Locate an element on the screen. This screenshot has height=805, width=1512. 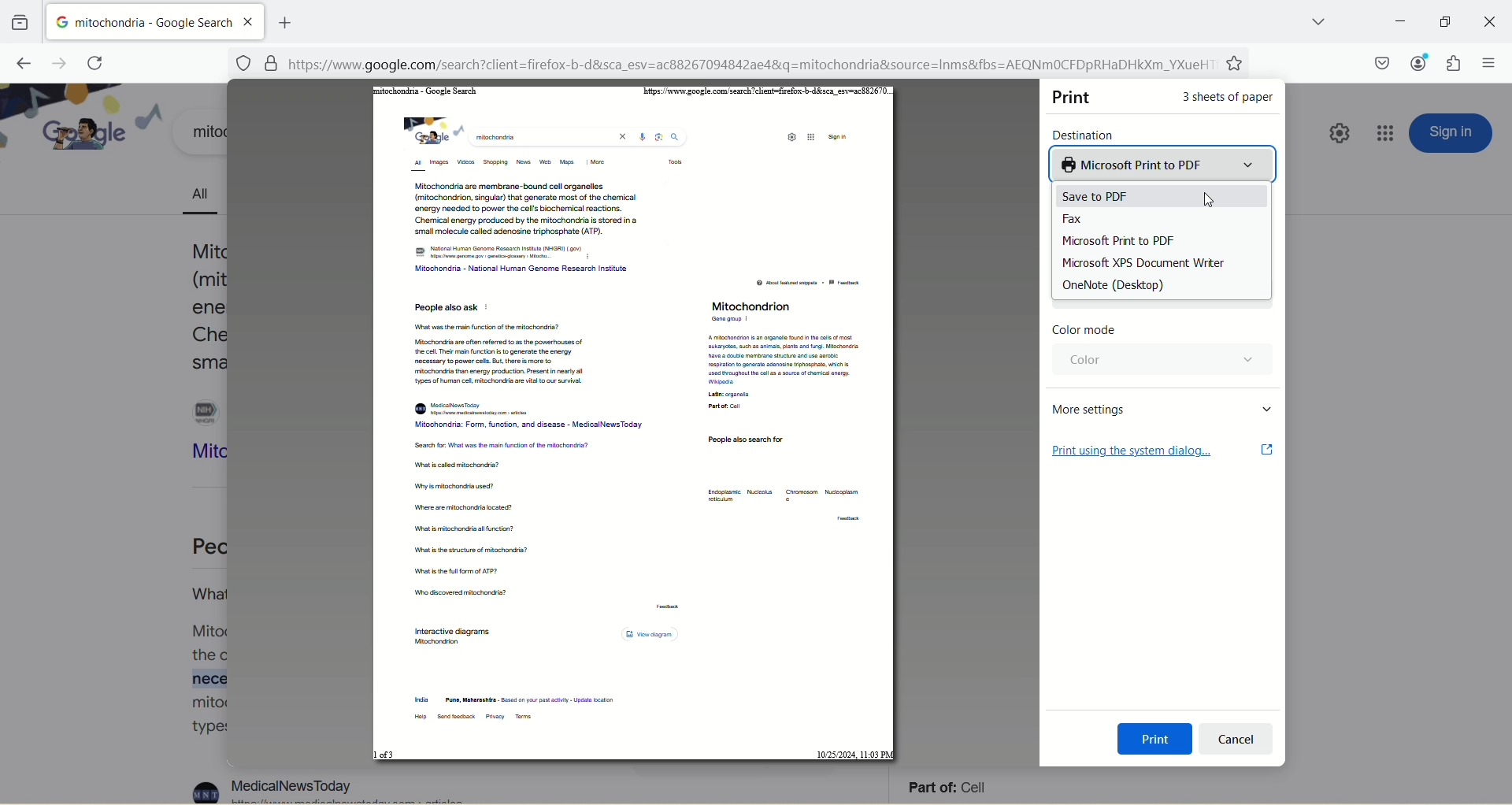
save to pocket is located at coordinates (1381, 63).